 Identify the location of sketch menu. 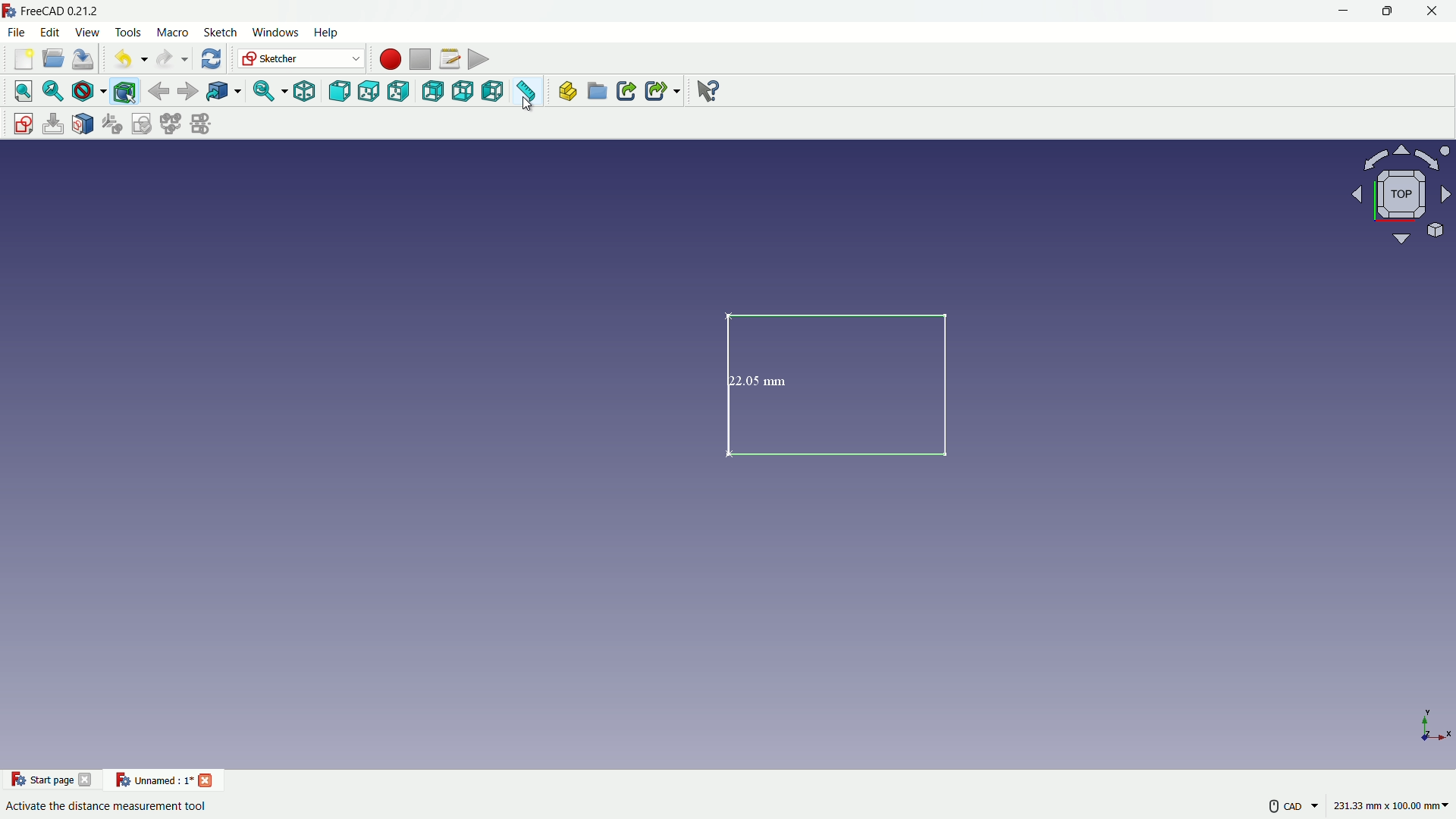
(220, 33).